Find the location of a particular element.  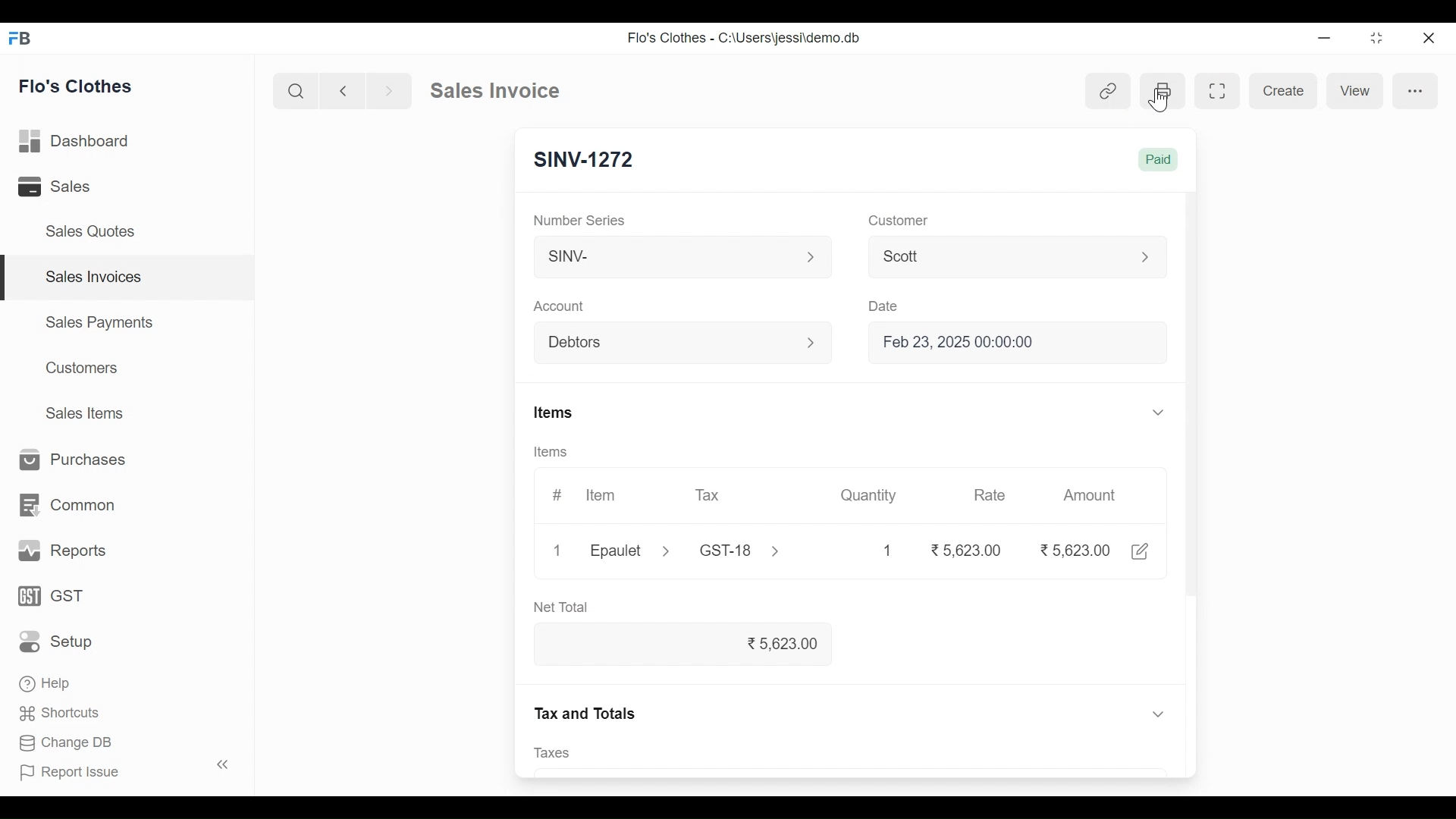

Common is located at coordinates (68, 504).